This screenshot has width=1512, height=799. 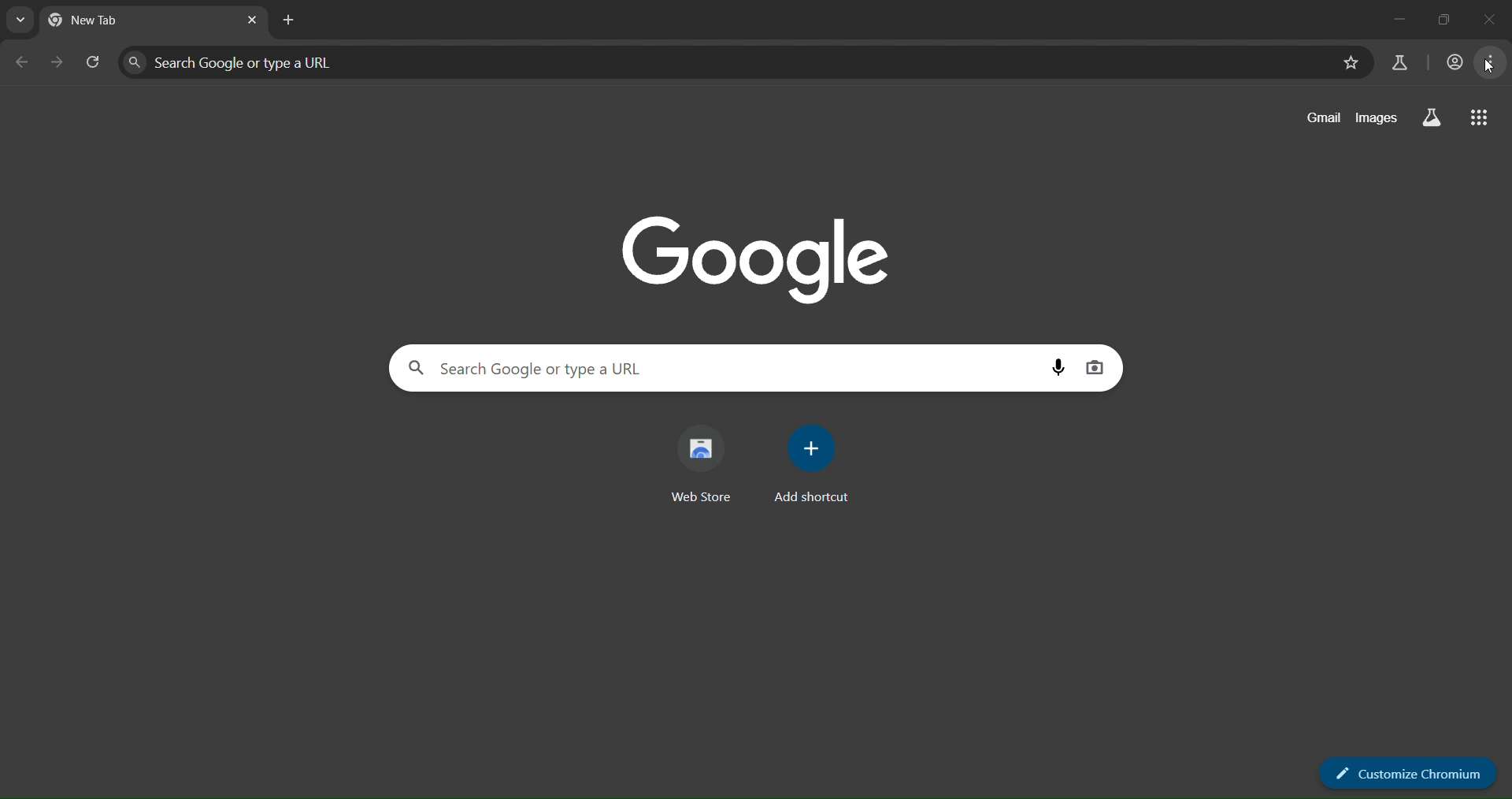 I want to click on account, so click(x=1455, y=61).